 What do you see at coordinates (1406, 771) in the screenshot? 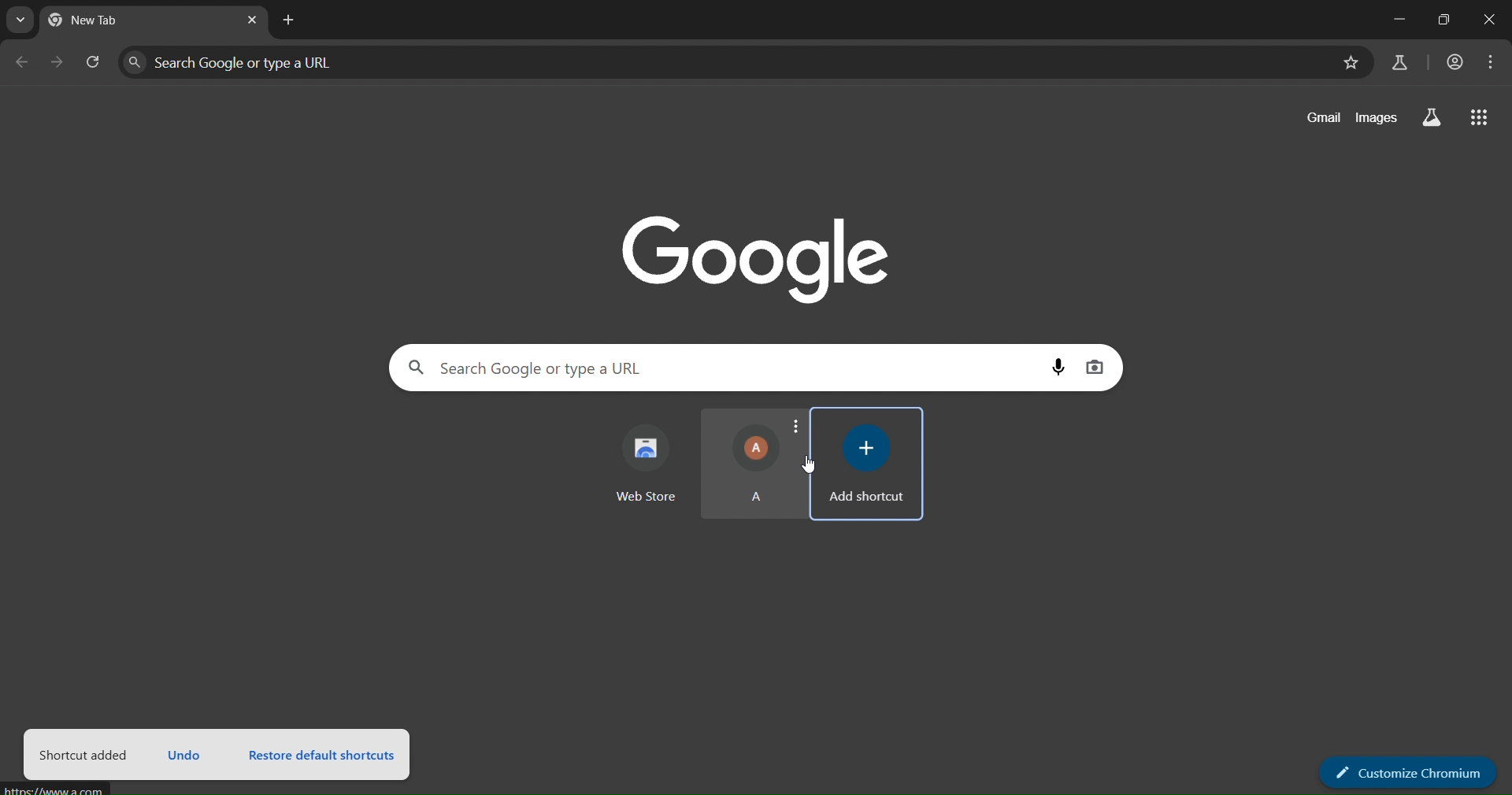
I see `customize chromium` at bounding box center [1406, 771].